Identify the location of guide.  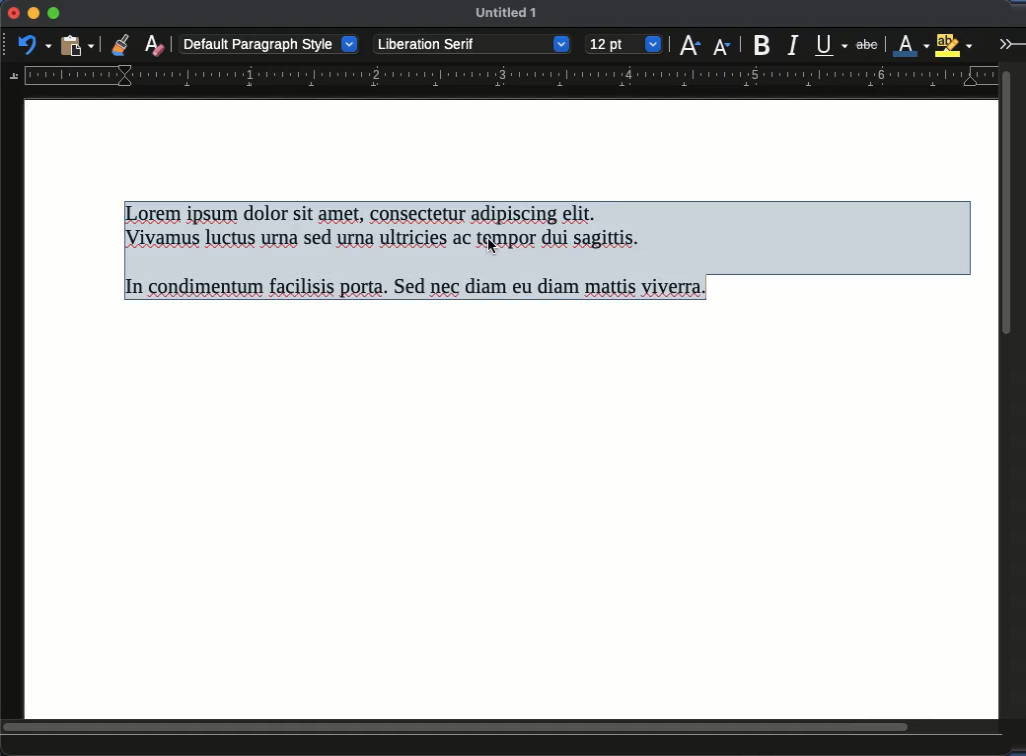
(499, 76).